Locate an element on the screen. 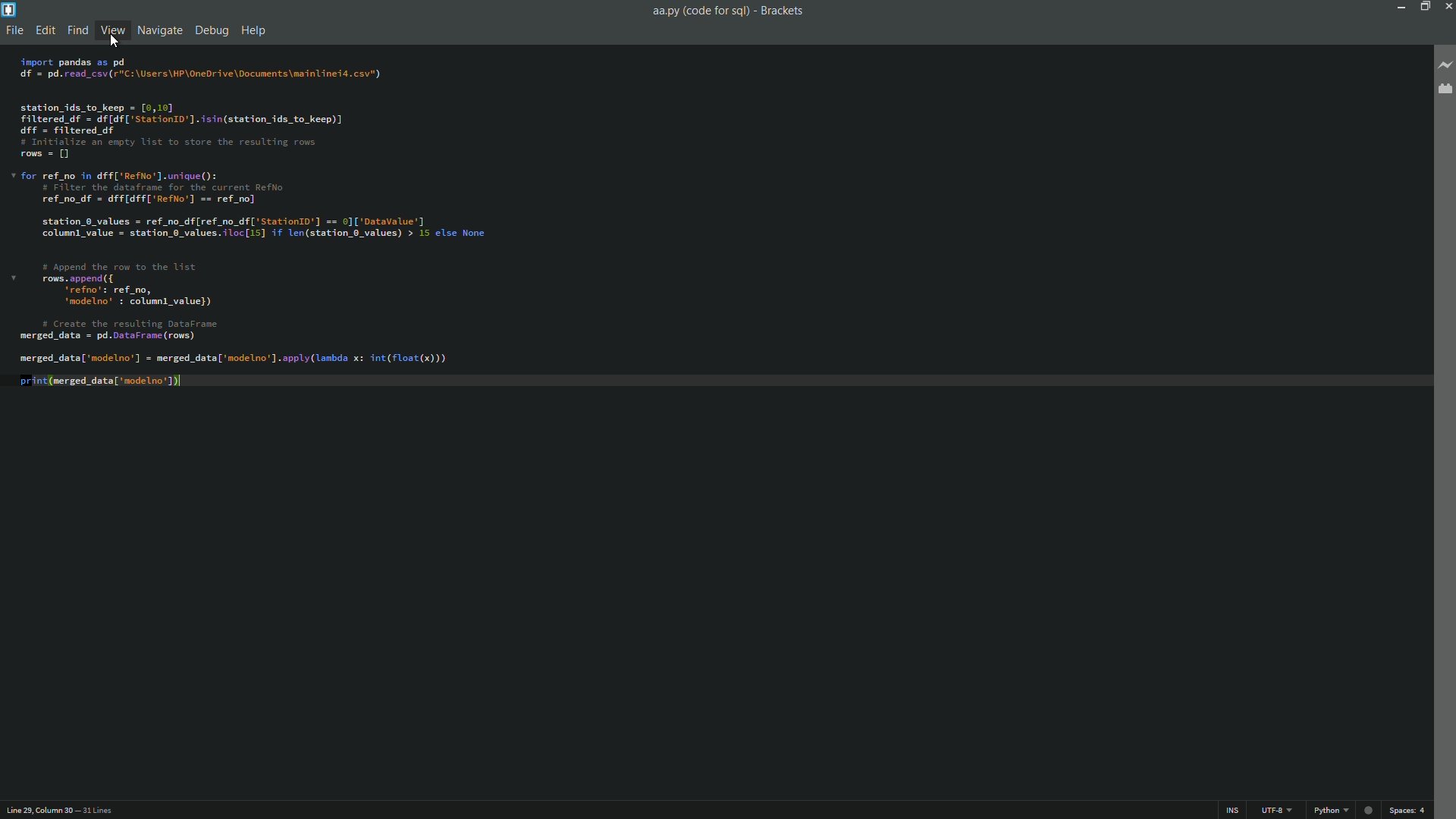 The height and width of the screenshot is (819, 1456). find menu is located at coordinates (76, 28).